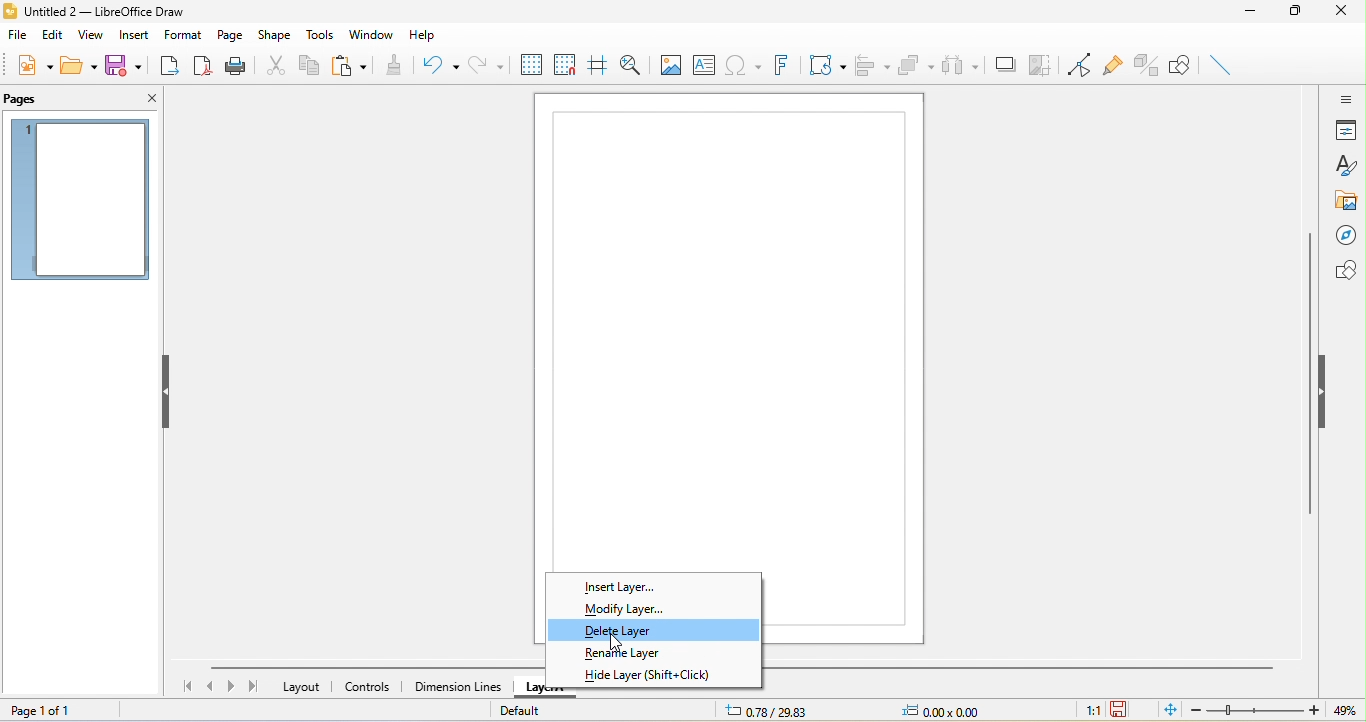 This screenshot has width=1366, height=722. Describe the element at coordinates (165, 65) in the screenshot. I see `export` at that location.